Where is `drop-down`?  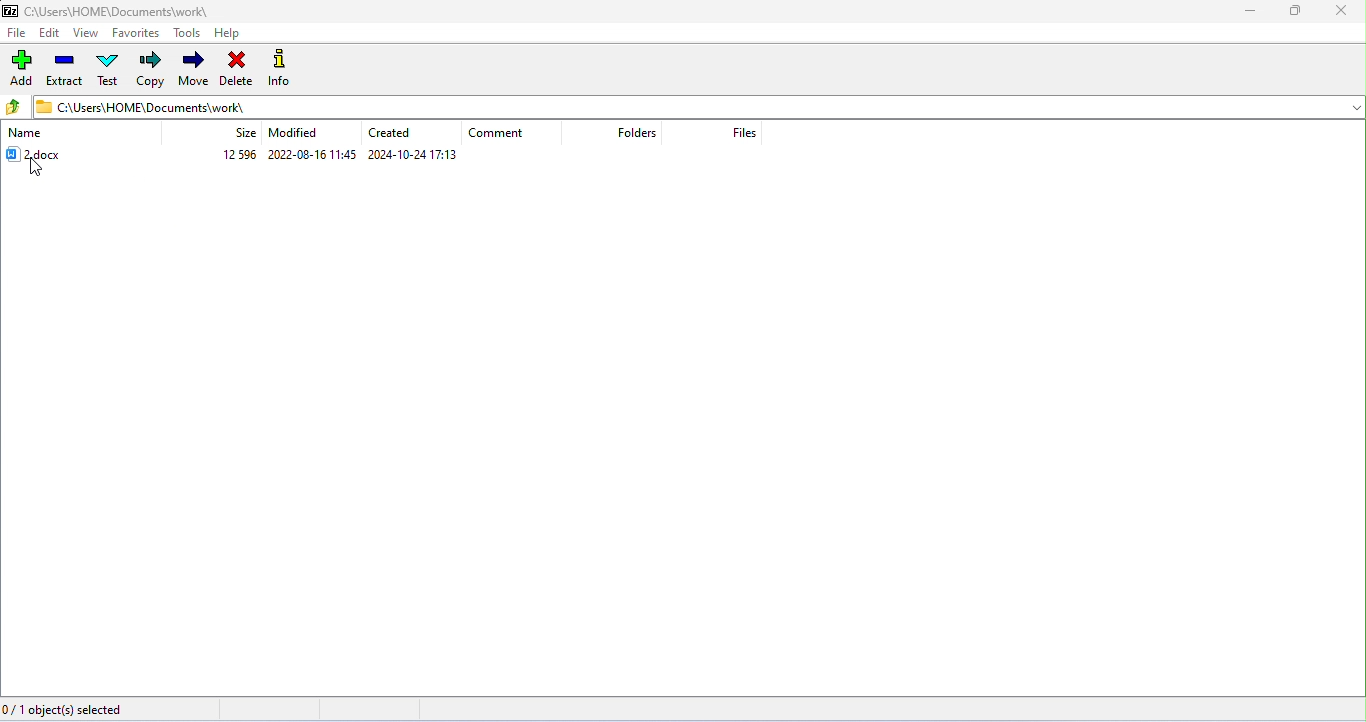 drop-down is located at coordinates (1353, 107).